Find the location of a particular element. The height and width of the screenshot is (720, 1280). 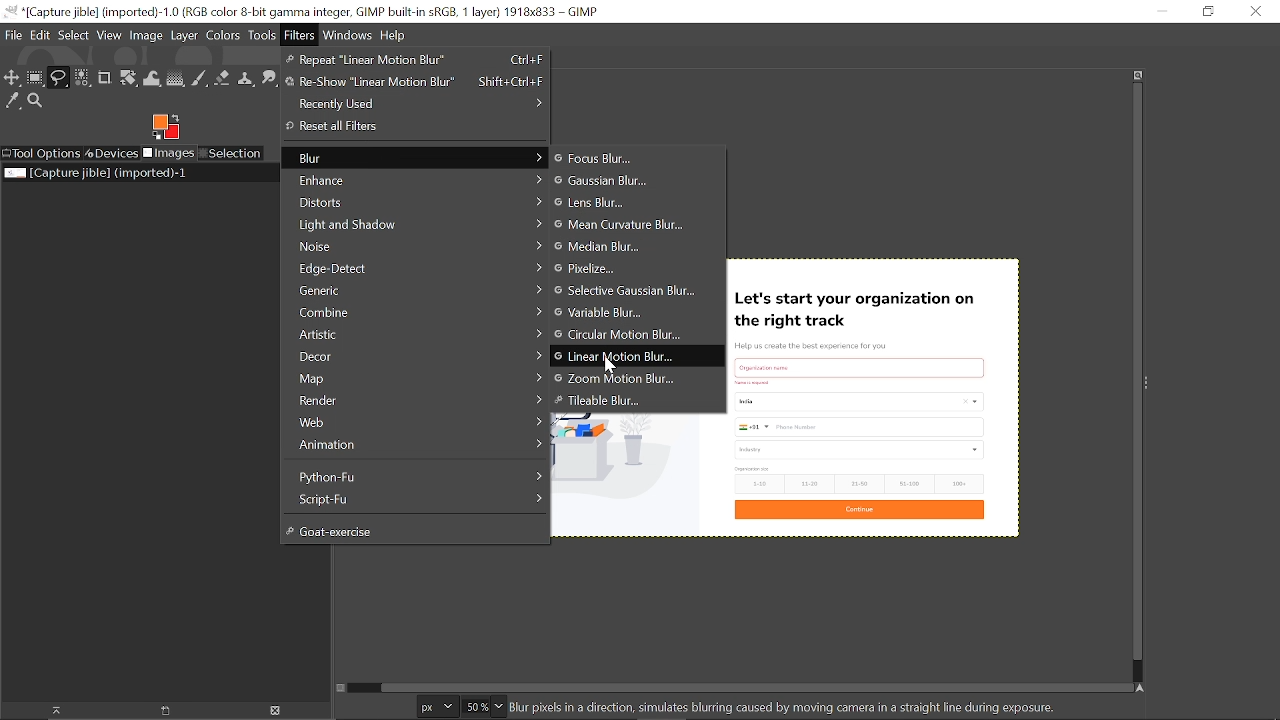

Light and shadow is located at coordinates (414, 226).